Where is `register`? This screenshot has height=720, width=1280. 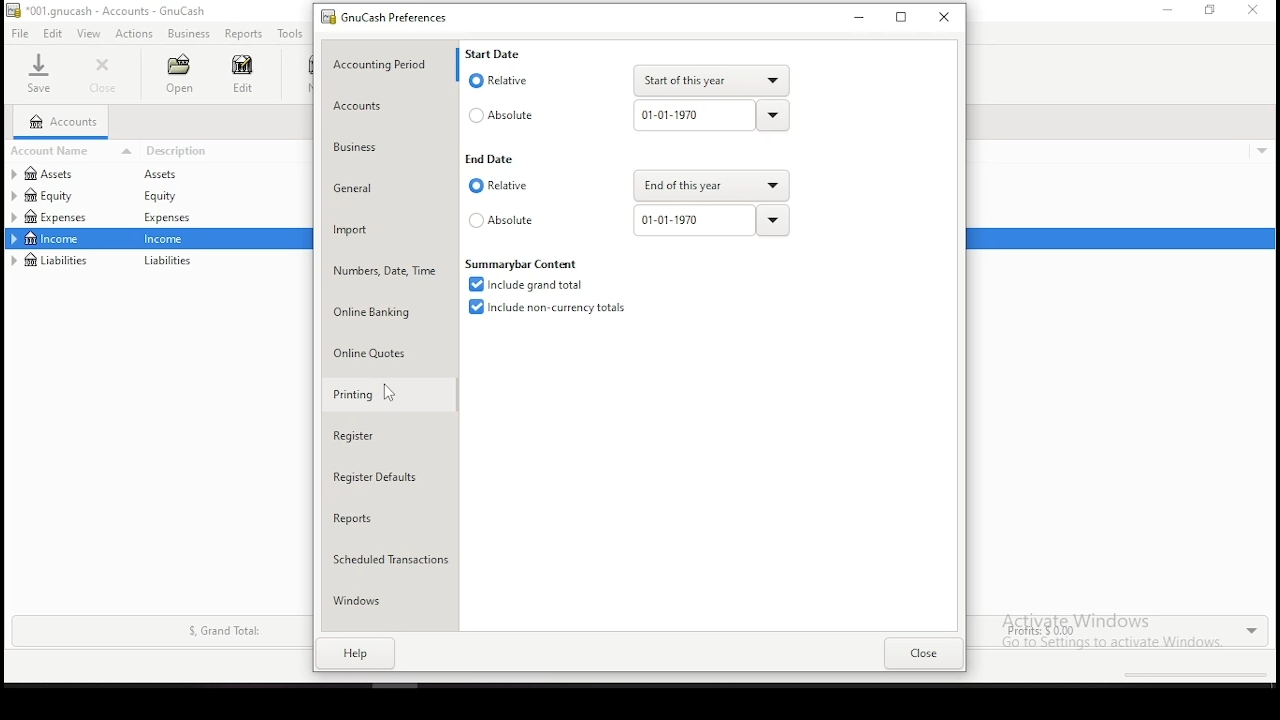
register is located at coordinates (372, 437).